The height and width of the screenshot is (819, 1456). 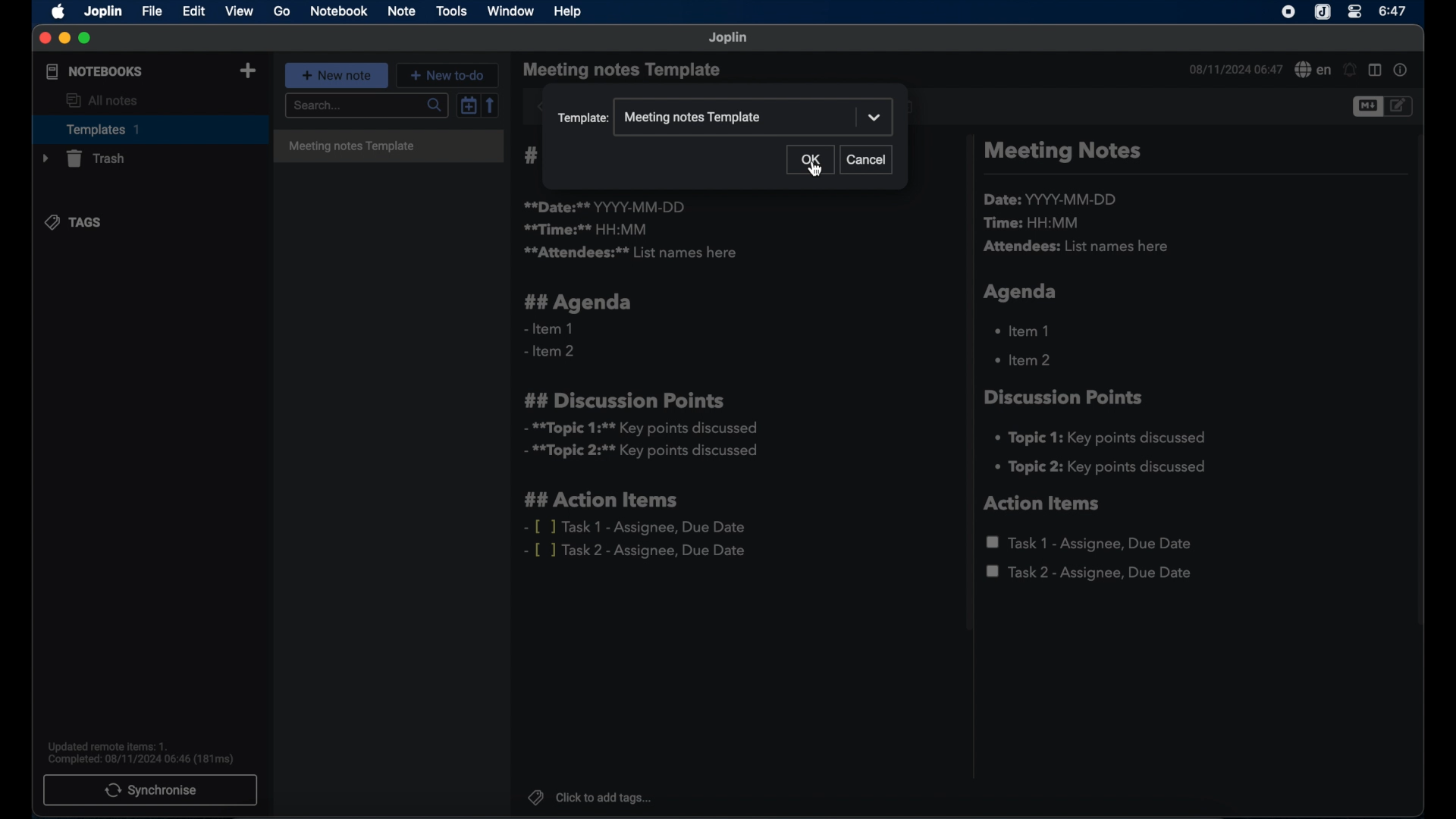 What do you see at coordinates (586, 229) in the screenshot?
I see `**time:** HH:MM` at bounding box center [586, 229].